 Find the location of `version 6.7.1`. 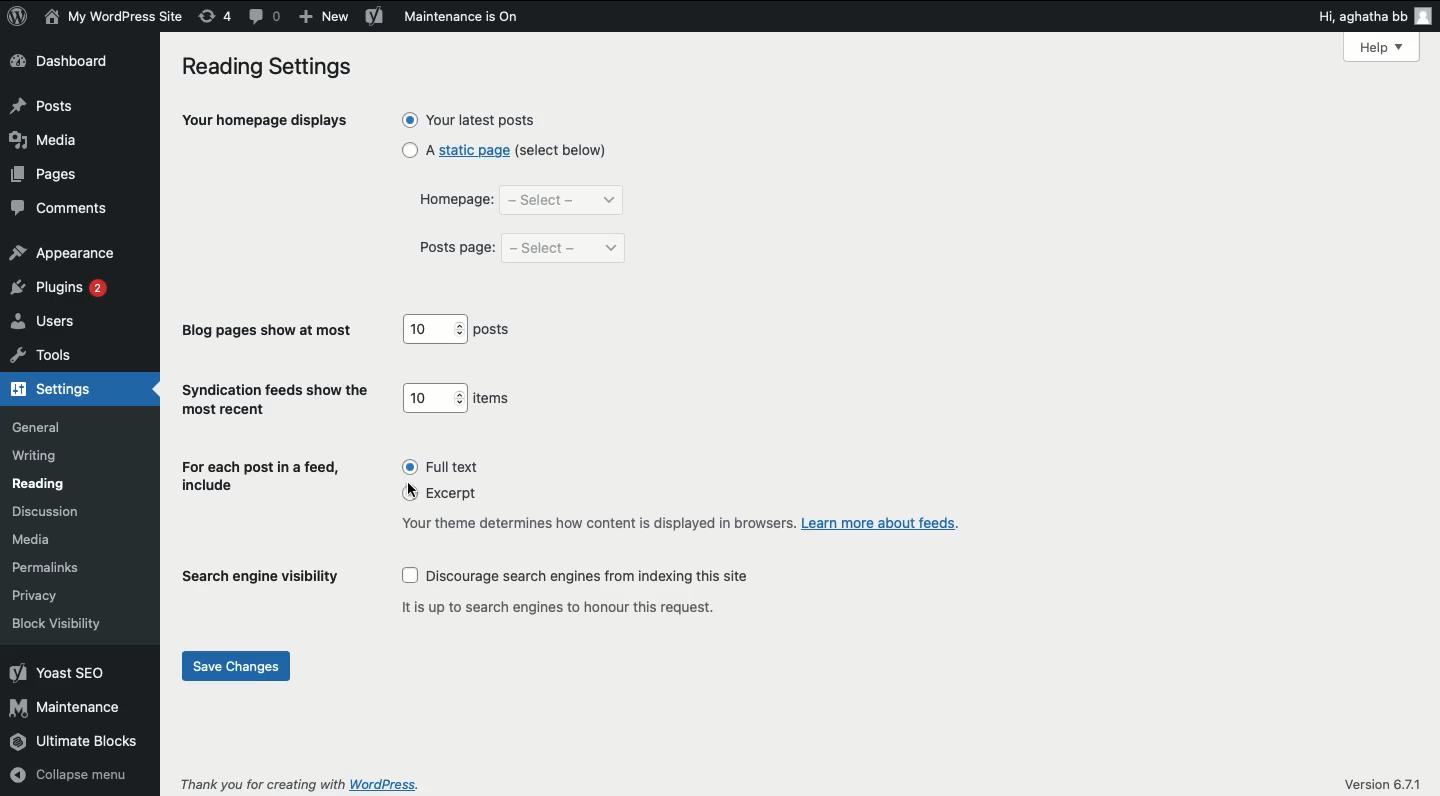

version 6.7.1 is located at coordinates (1384, 782).